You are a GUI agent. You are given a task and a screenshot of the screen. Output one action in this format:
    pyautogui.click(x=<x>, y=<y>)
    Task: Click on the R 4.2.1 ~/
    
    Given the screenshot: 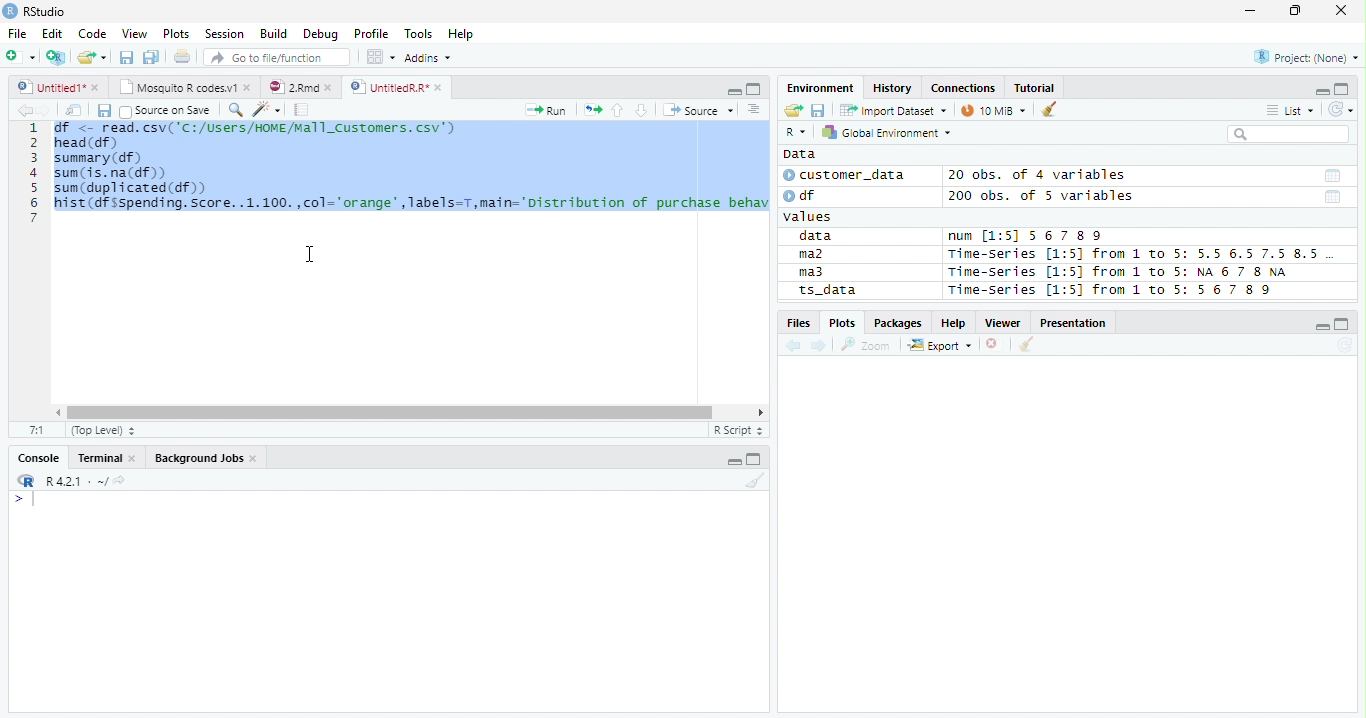 What is the action you would take?
    pyautogui.click(x=75, y=480)
    